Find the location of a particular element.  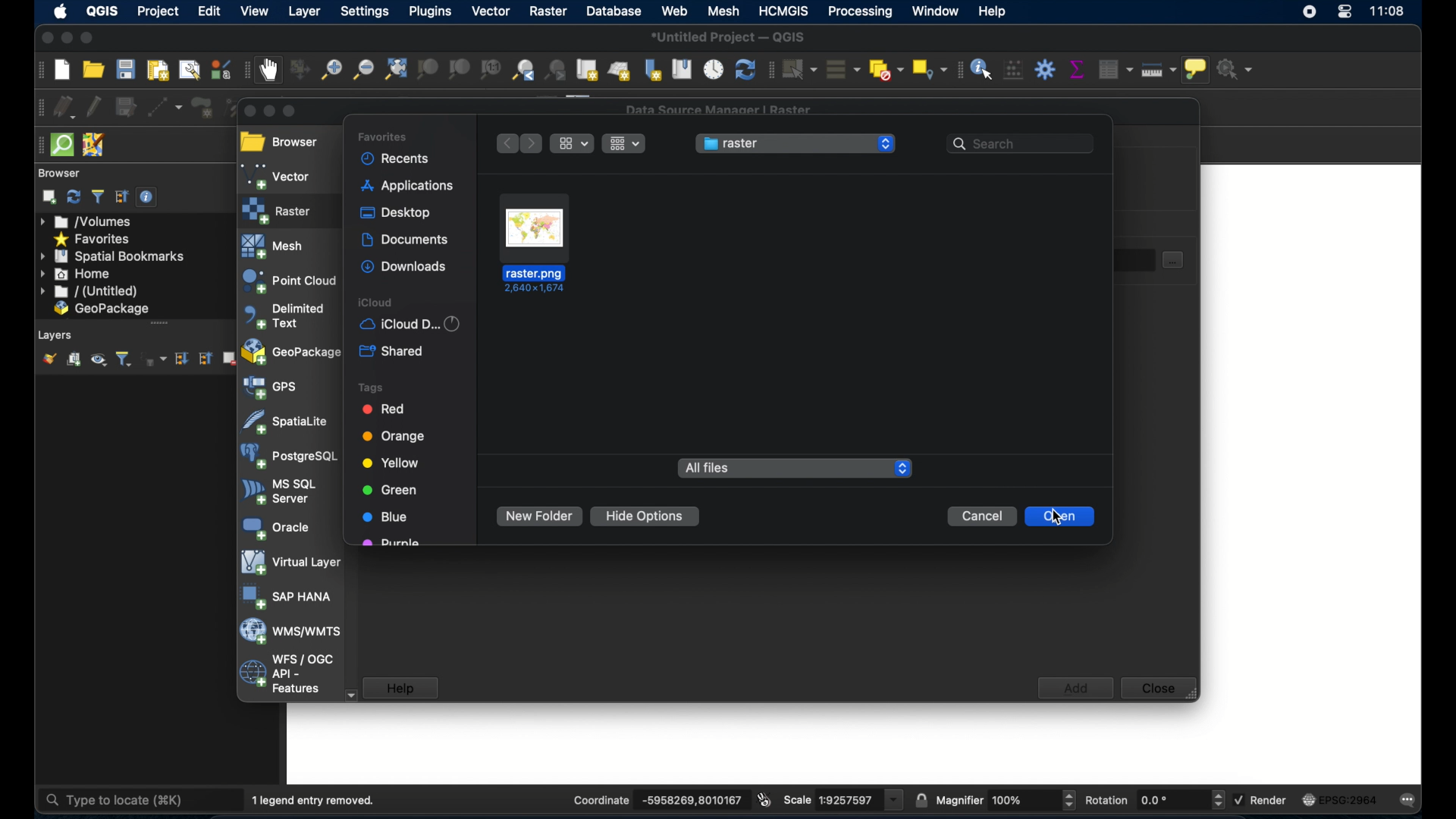

geo package is located at coordinates (101, 309).